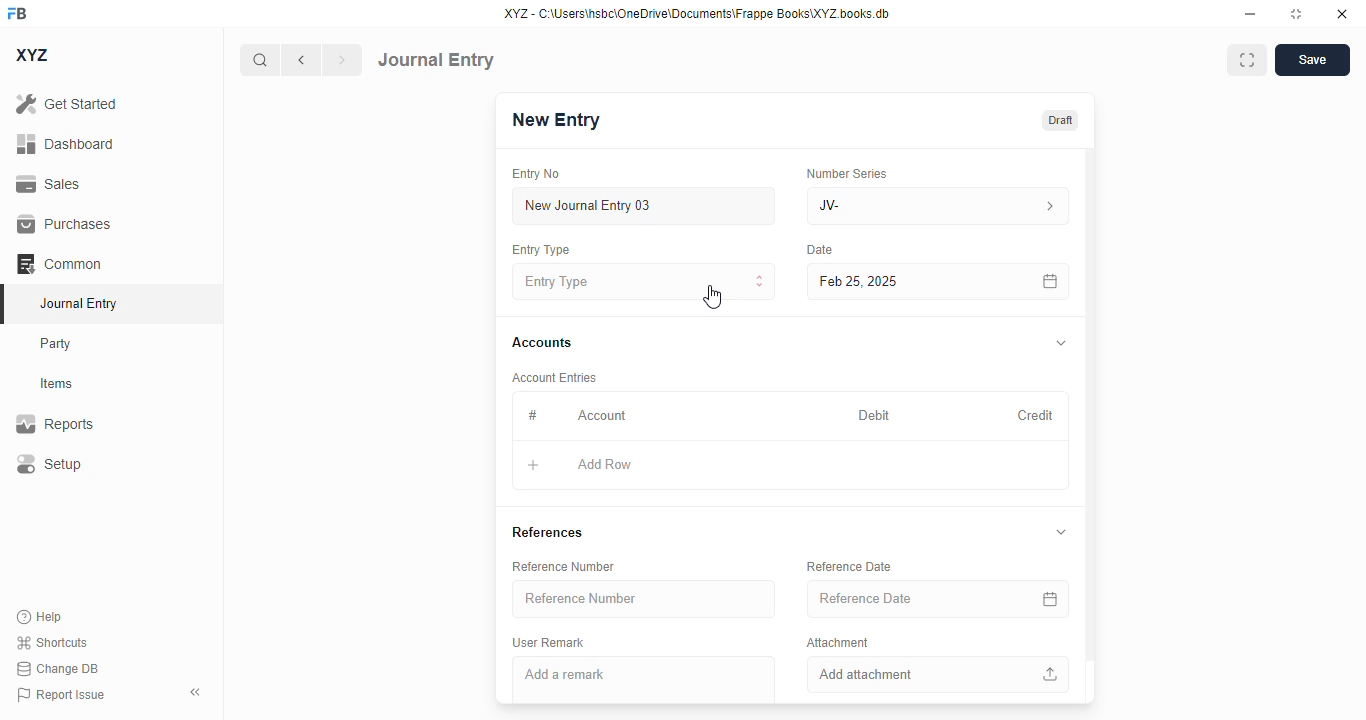 The image size is (1366, 720). I want to click on number series, so click(846, 173).